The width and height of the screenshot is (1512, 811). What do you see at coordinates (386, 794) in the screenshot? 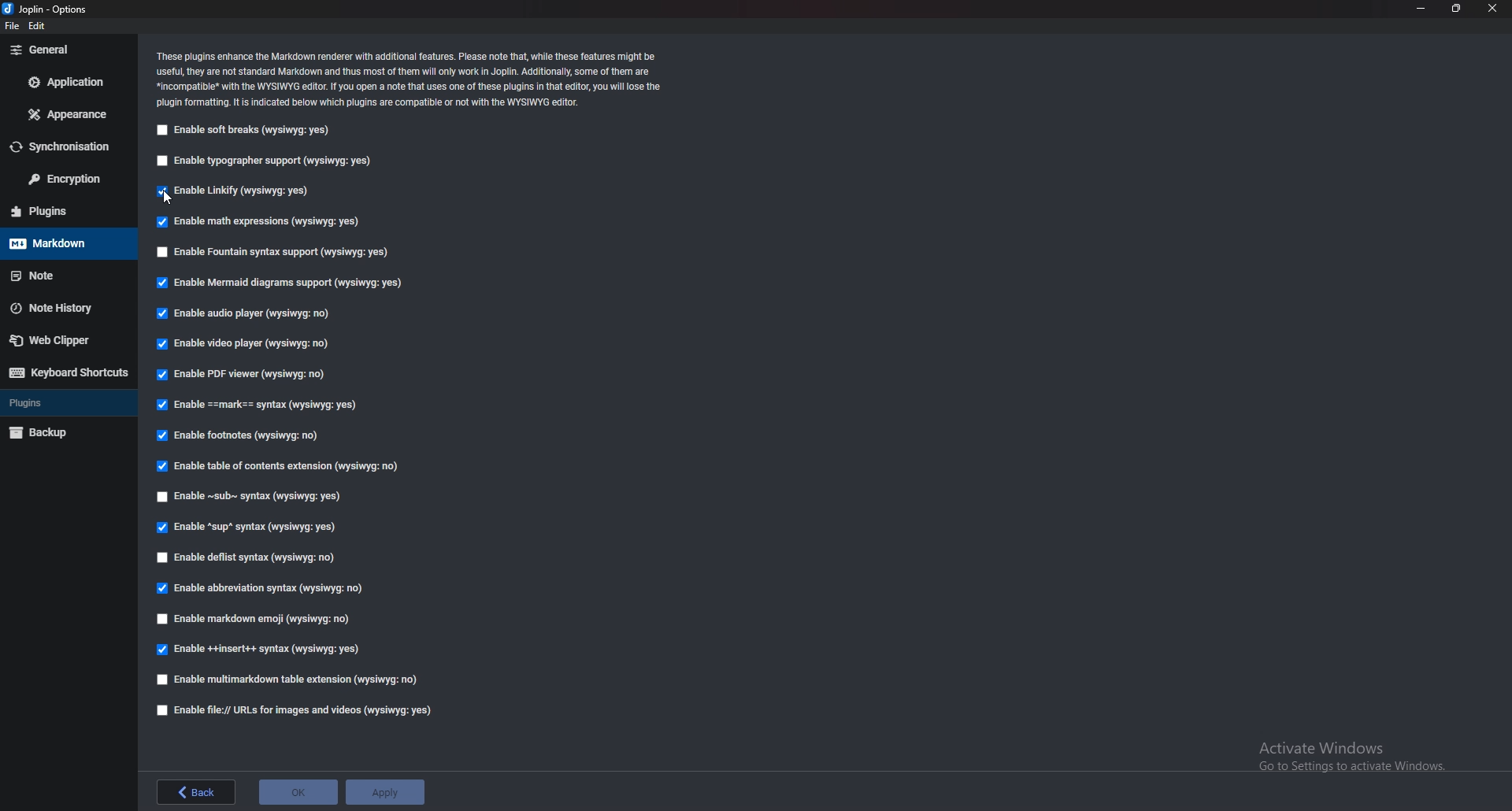
I see `Apply` at bounding box center [386, 794].